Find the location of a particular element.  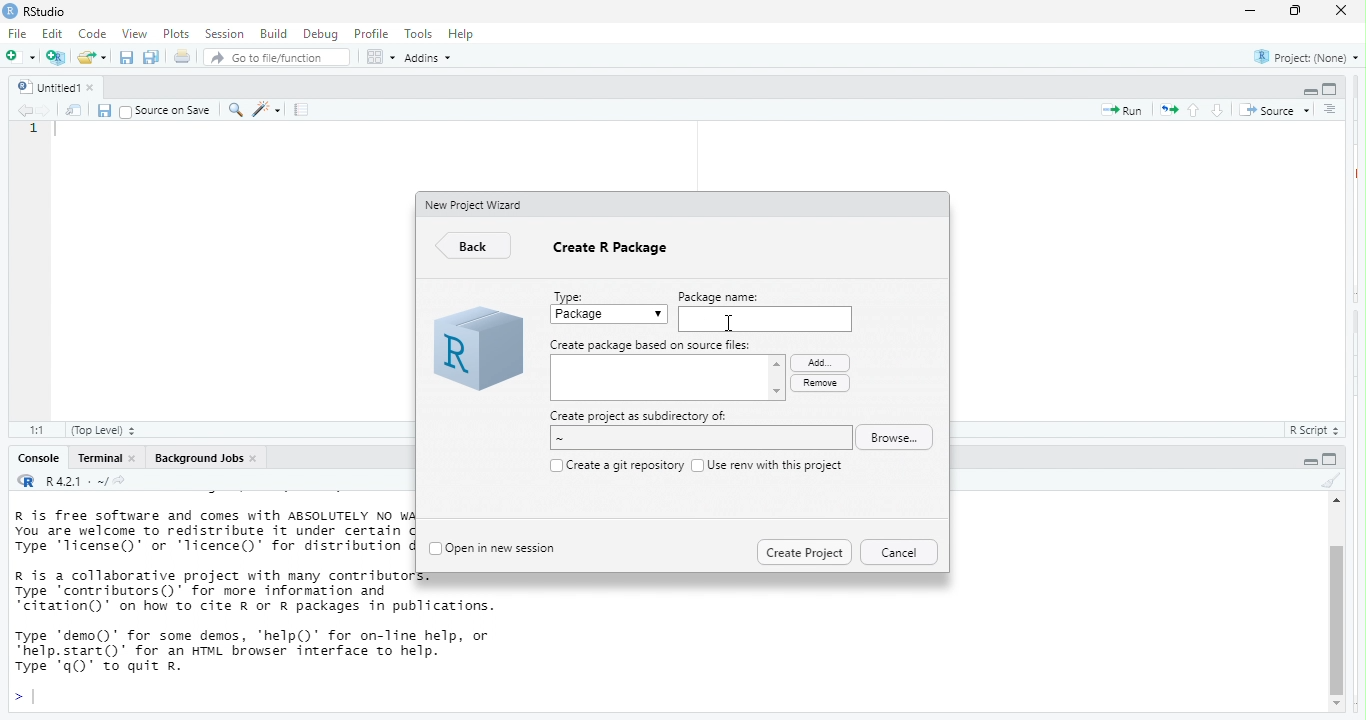

clear console is located at coordinates (1328, 481).